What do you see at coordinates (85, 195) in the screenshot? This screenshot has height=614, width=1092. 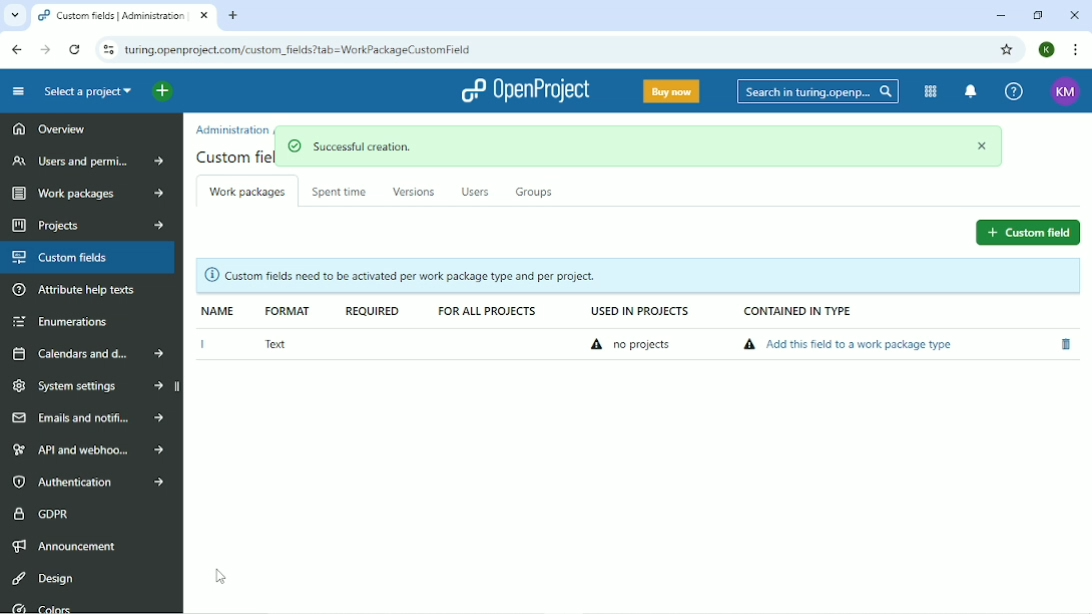 I see `Work packages` at bounding box center [85, 195].